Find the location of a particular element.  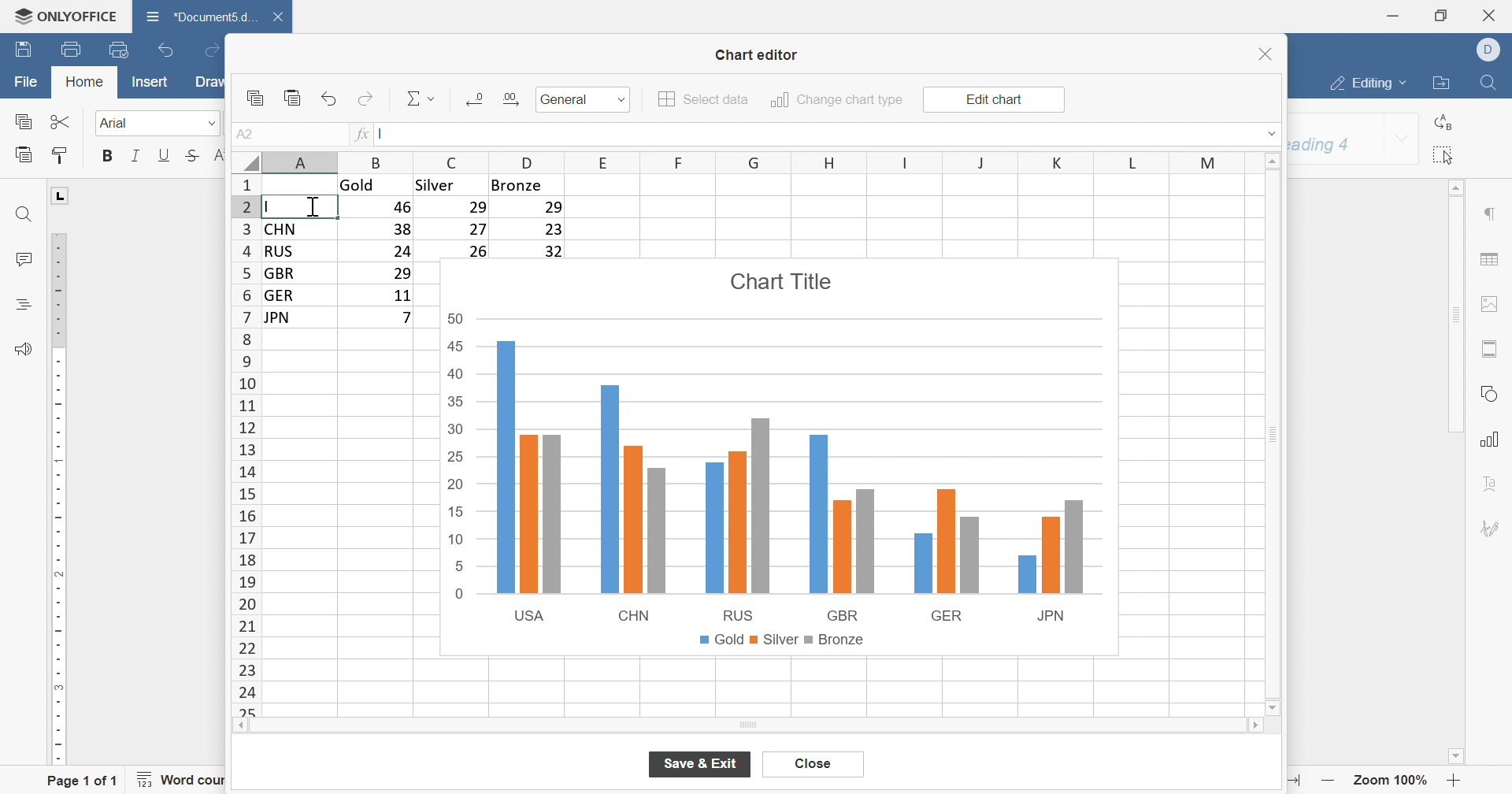

strikethrough is located at coordinates (192, 155).